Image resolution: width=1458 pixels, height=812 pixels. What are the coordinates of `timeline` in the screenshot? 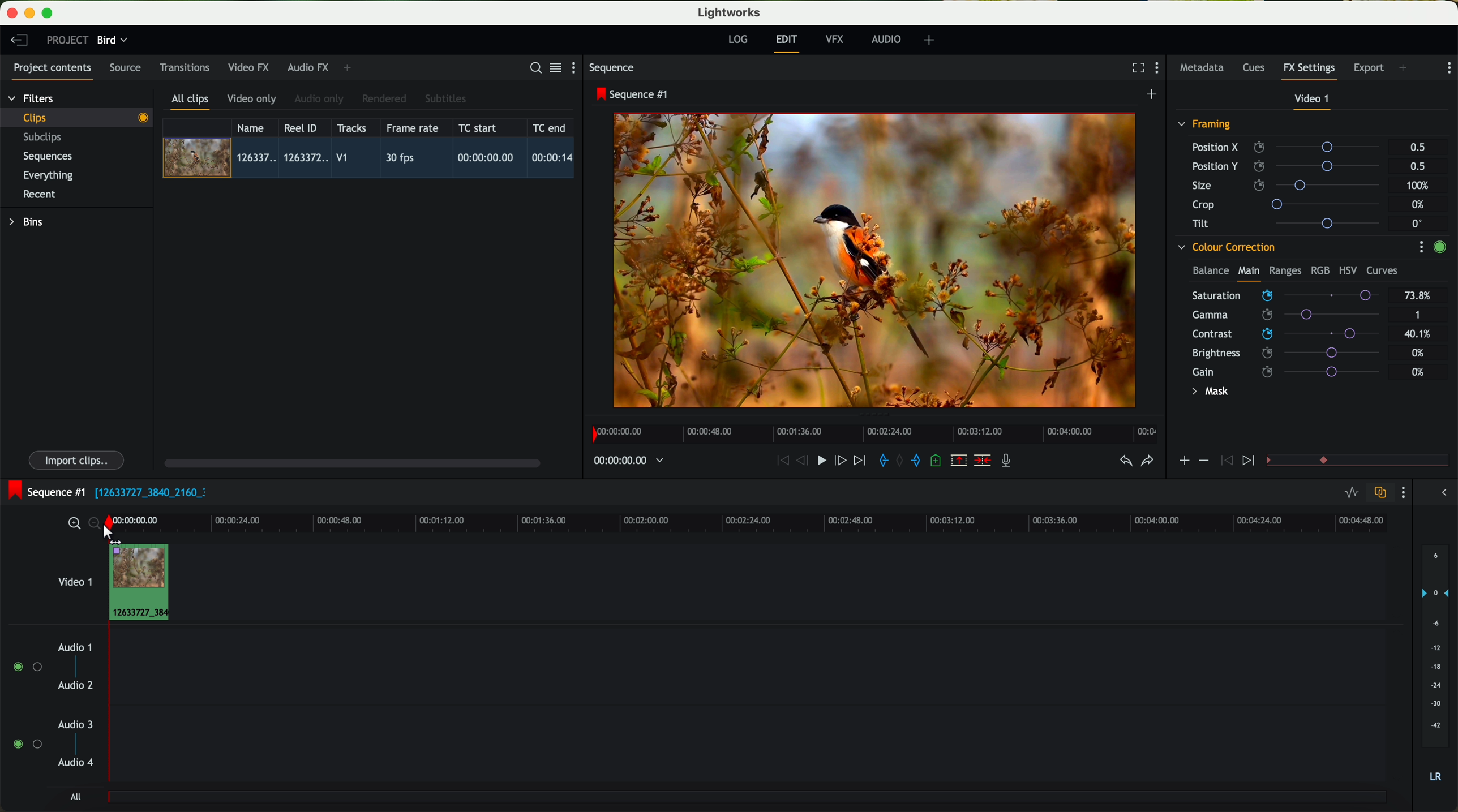 It's located at (784, 522).